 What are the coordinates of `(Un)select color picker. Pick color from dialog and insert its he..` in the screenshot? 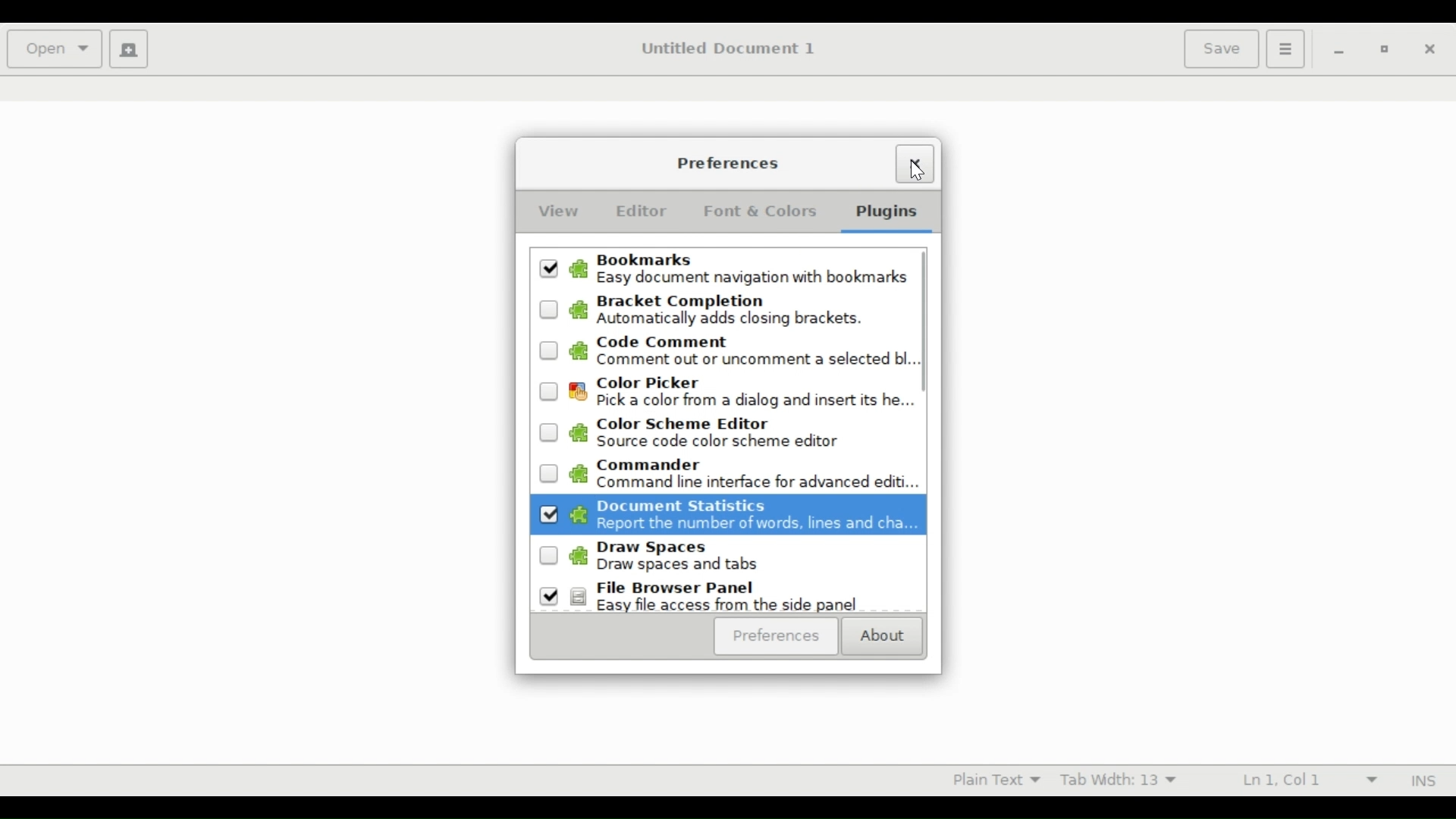 It's located at (742, 393).